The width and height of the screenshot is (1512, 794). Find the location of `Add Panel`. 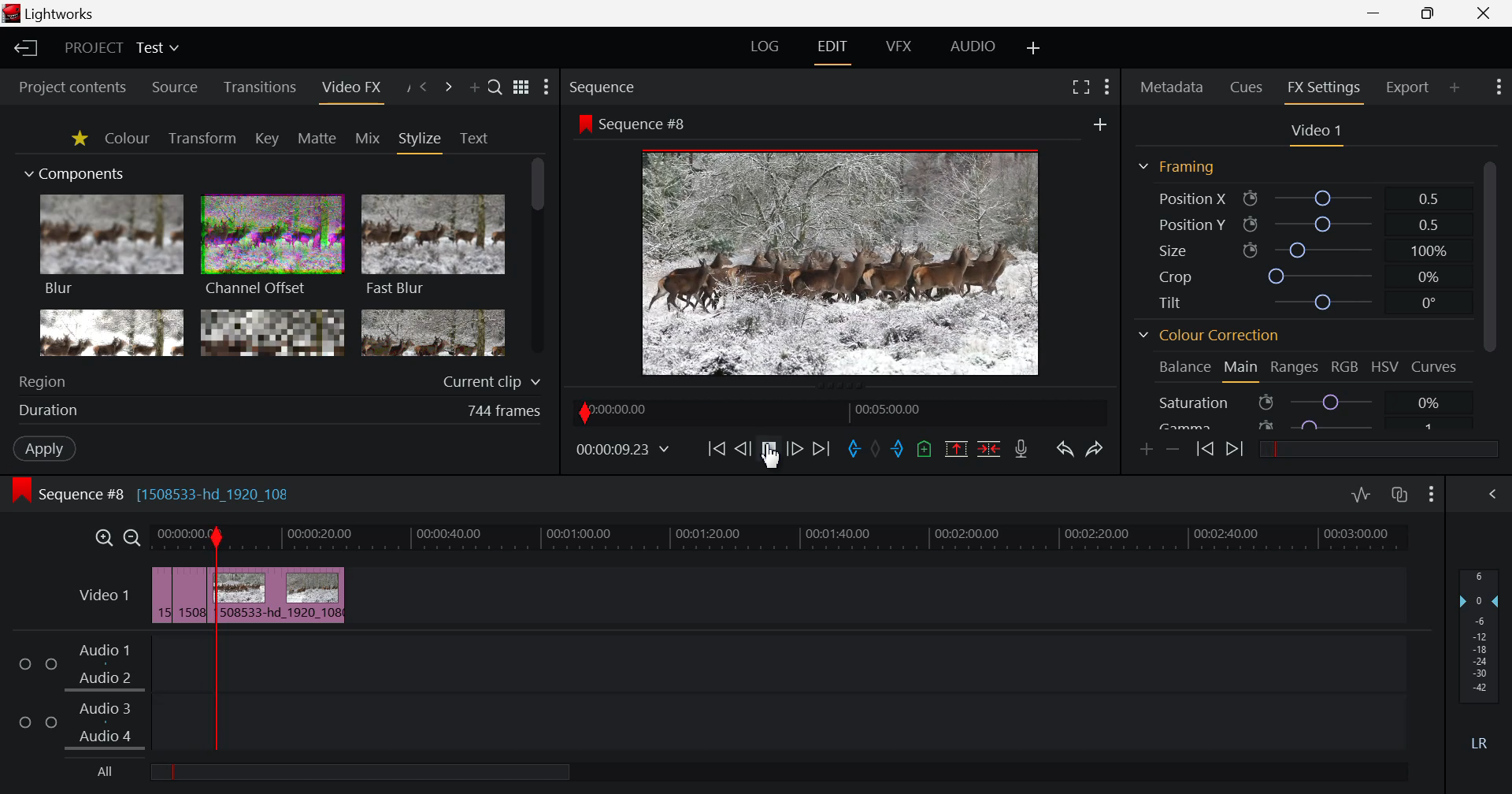

Add Panel is located at coordinates (474, 87).